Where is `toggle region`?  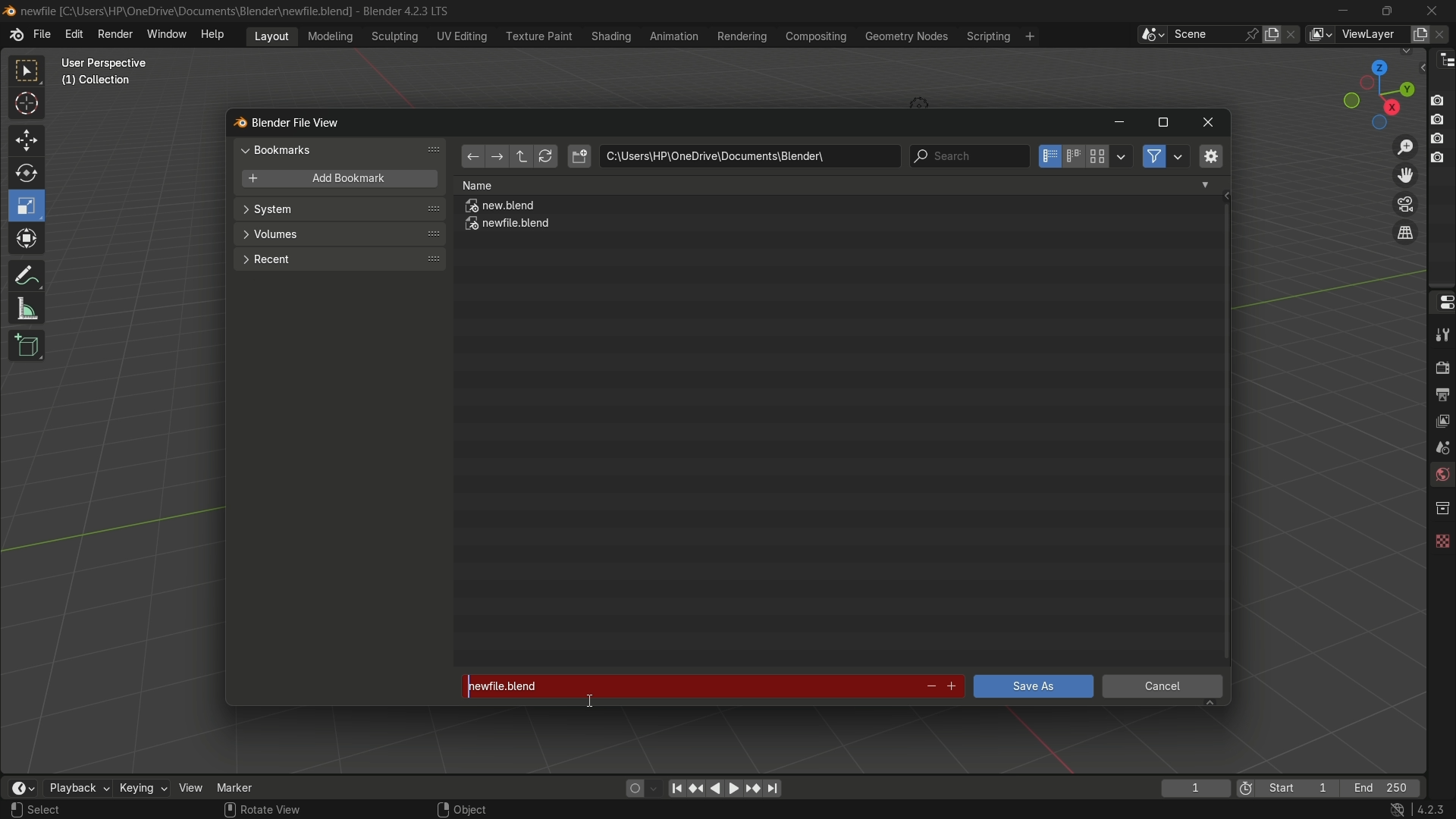
toggle region is located at coordinates (1210, 155).